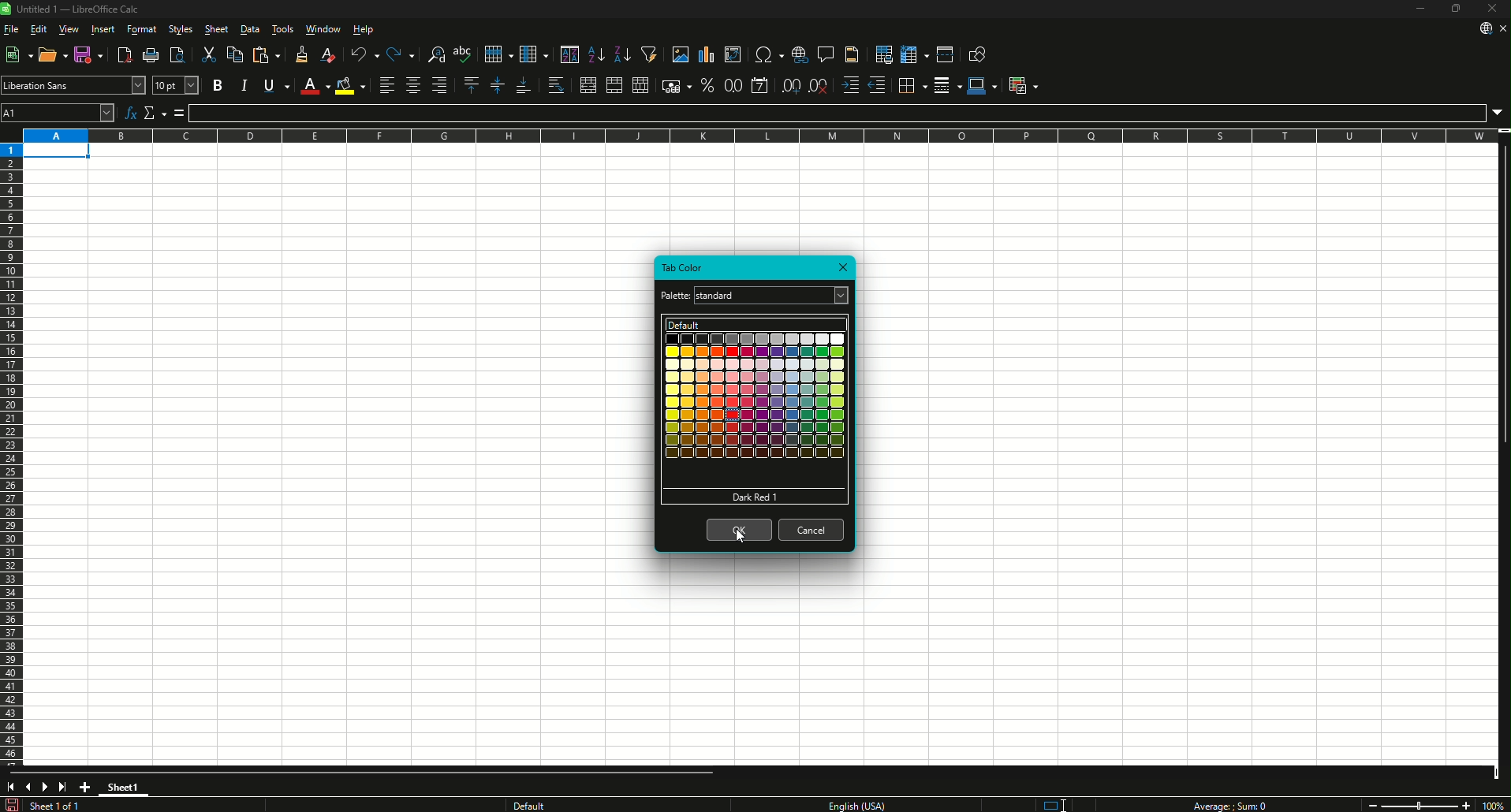 The width and height of the screenshot is (1511, 812). What do you see at coordinates (498, 85) in the screenshot?
I see `Center Vertically` at bounding box center [498, 85].